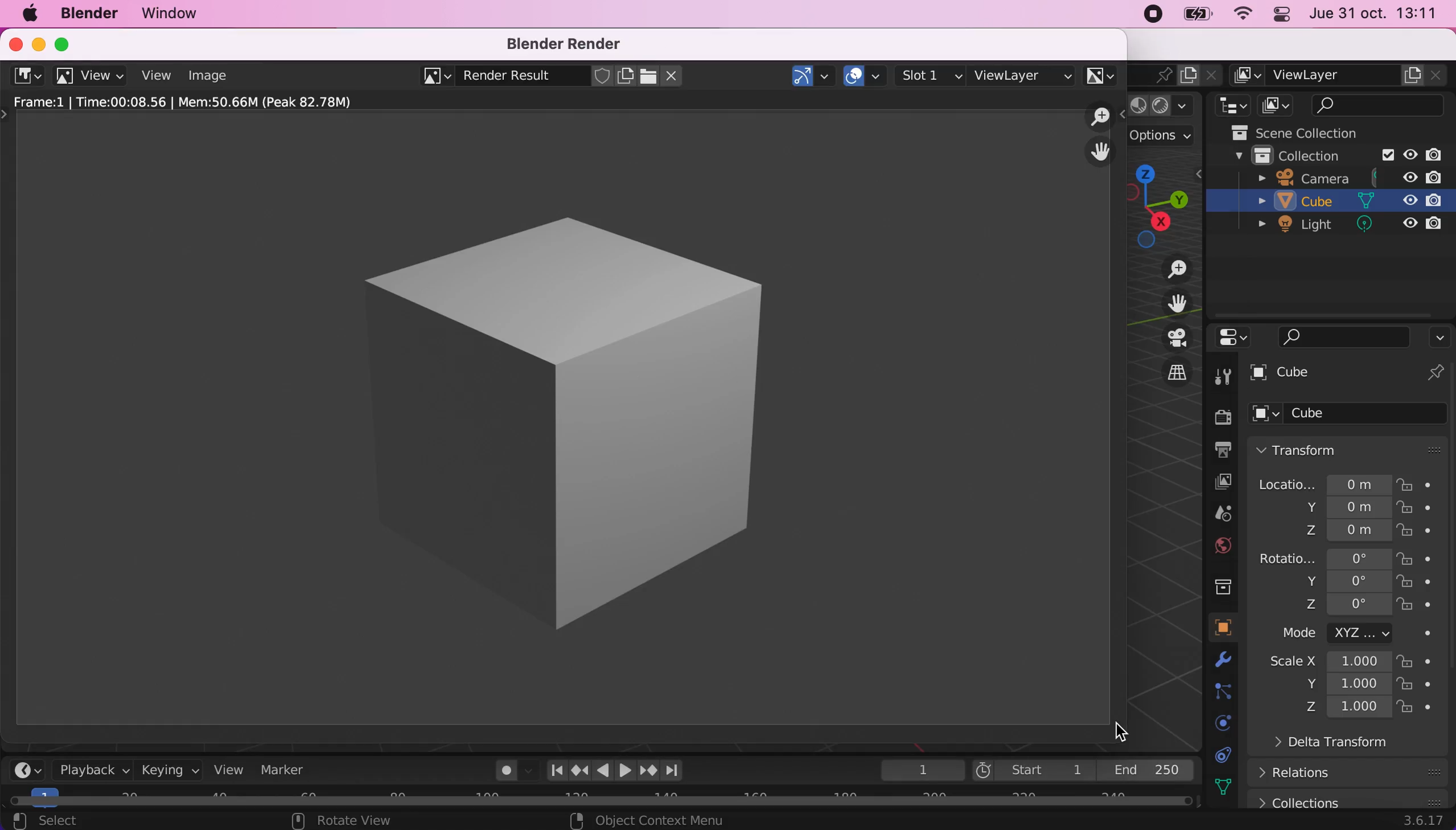 This screenshot has height=830, width=1456. What do you see at coordinates (1218, 481) in the screenshot?
I see `view layer` at bounding box center [1218, 481].